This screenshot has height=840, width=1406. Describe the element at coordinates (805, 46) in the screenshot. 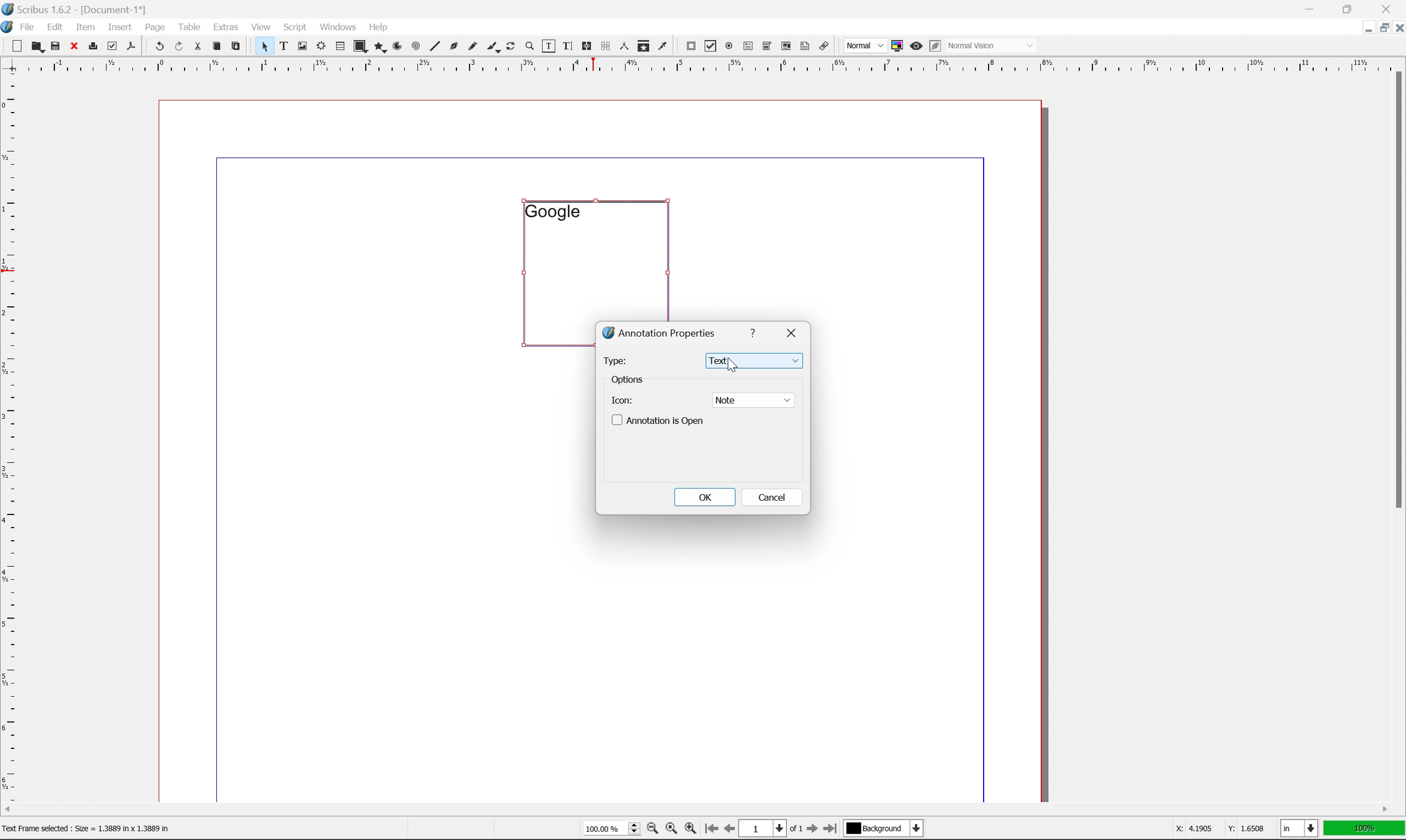

I see `text annotation` at that location.